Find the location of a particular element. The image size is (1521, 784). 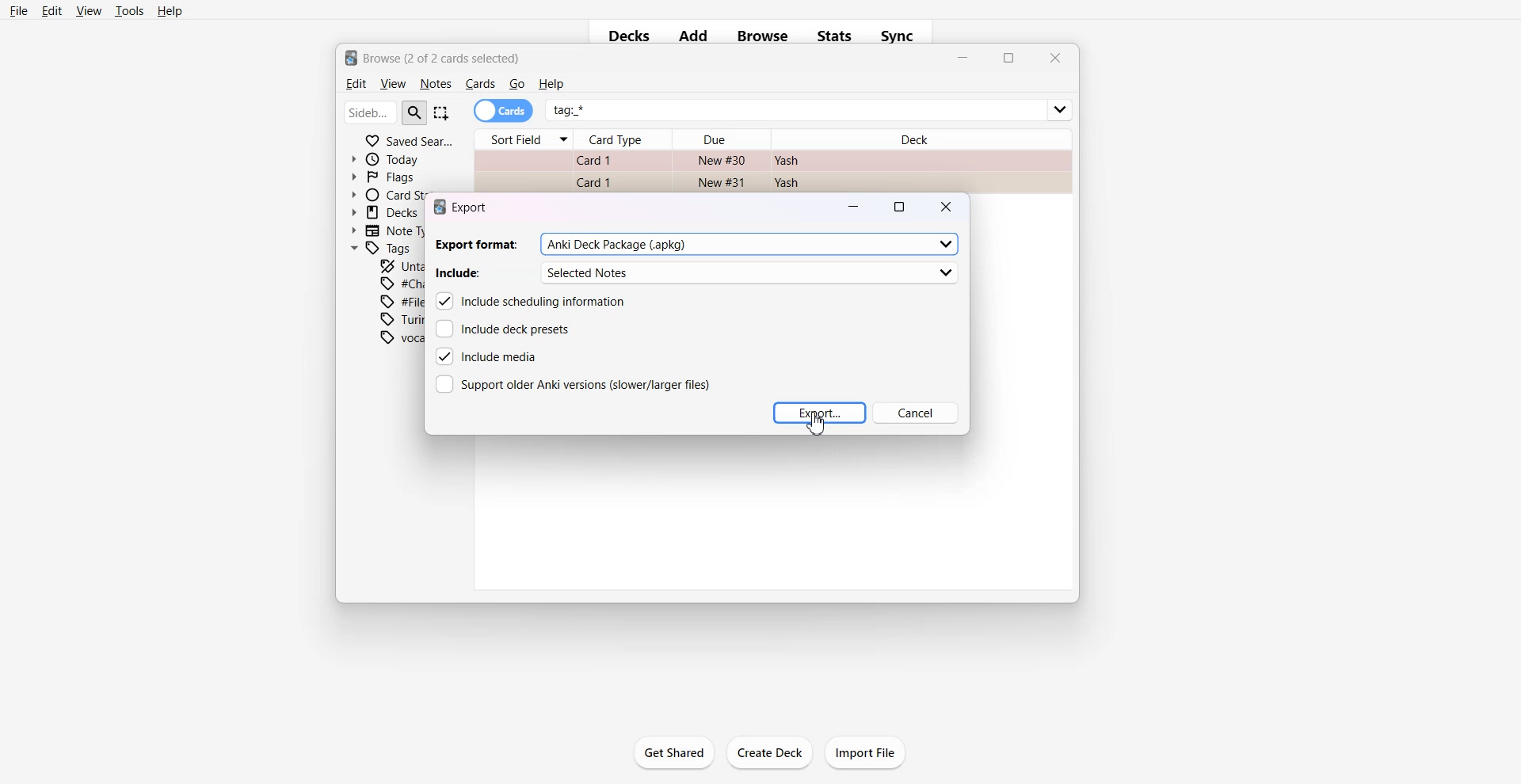

Select Item is located at coordinates (443, 112).